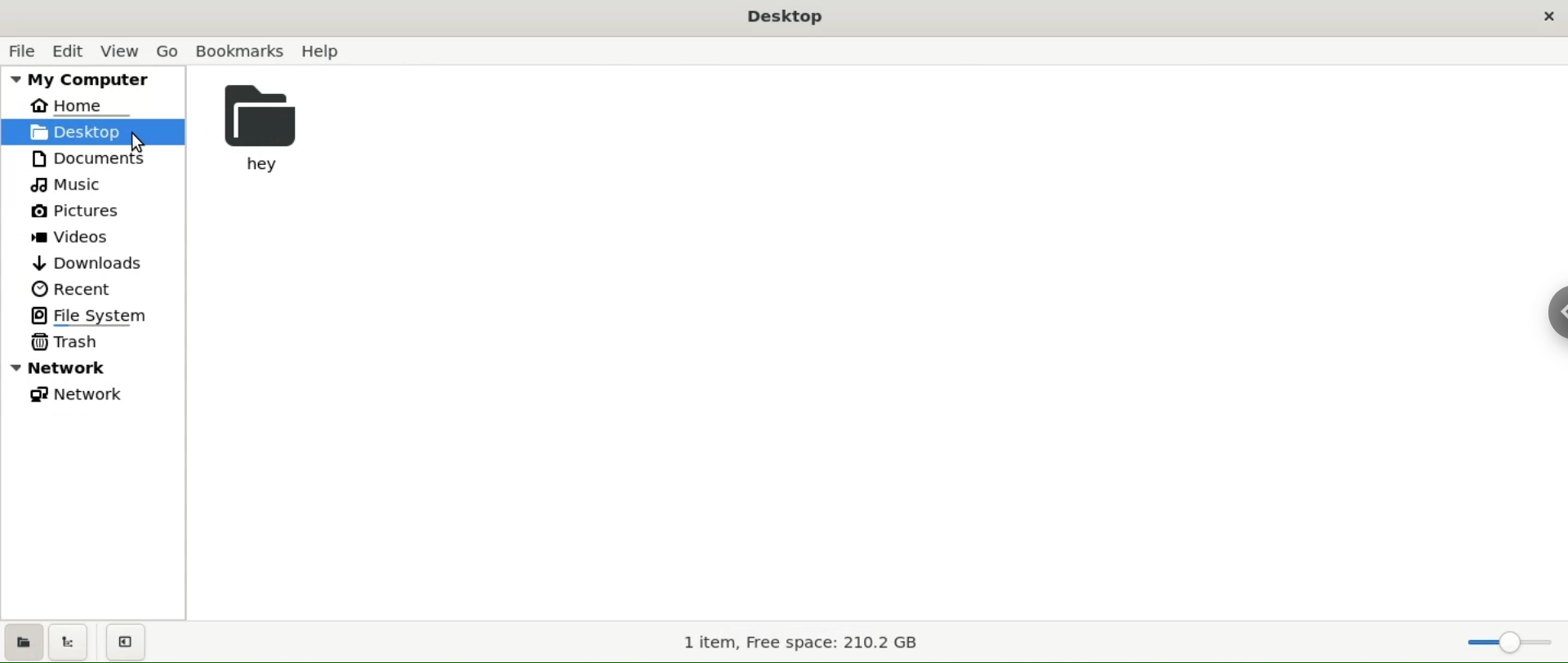  What do you see at coordinates (277, 123) in the screenshot?
I see `hey` at bounding box center [277, 123].